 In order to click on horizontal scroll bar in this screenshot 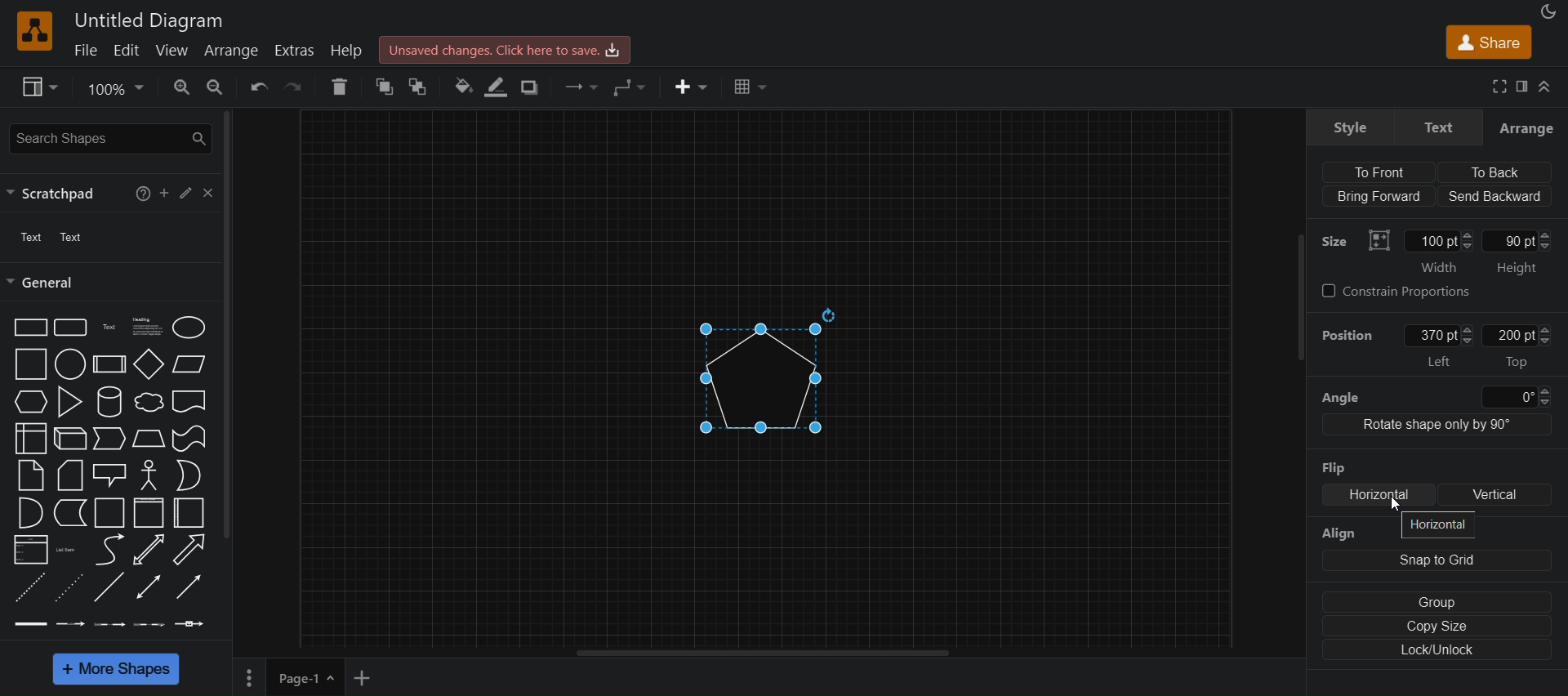, I will do `click(762, 653)`.